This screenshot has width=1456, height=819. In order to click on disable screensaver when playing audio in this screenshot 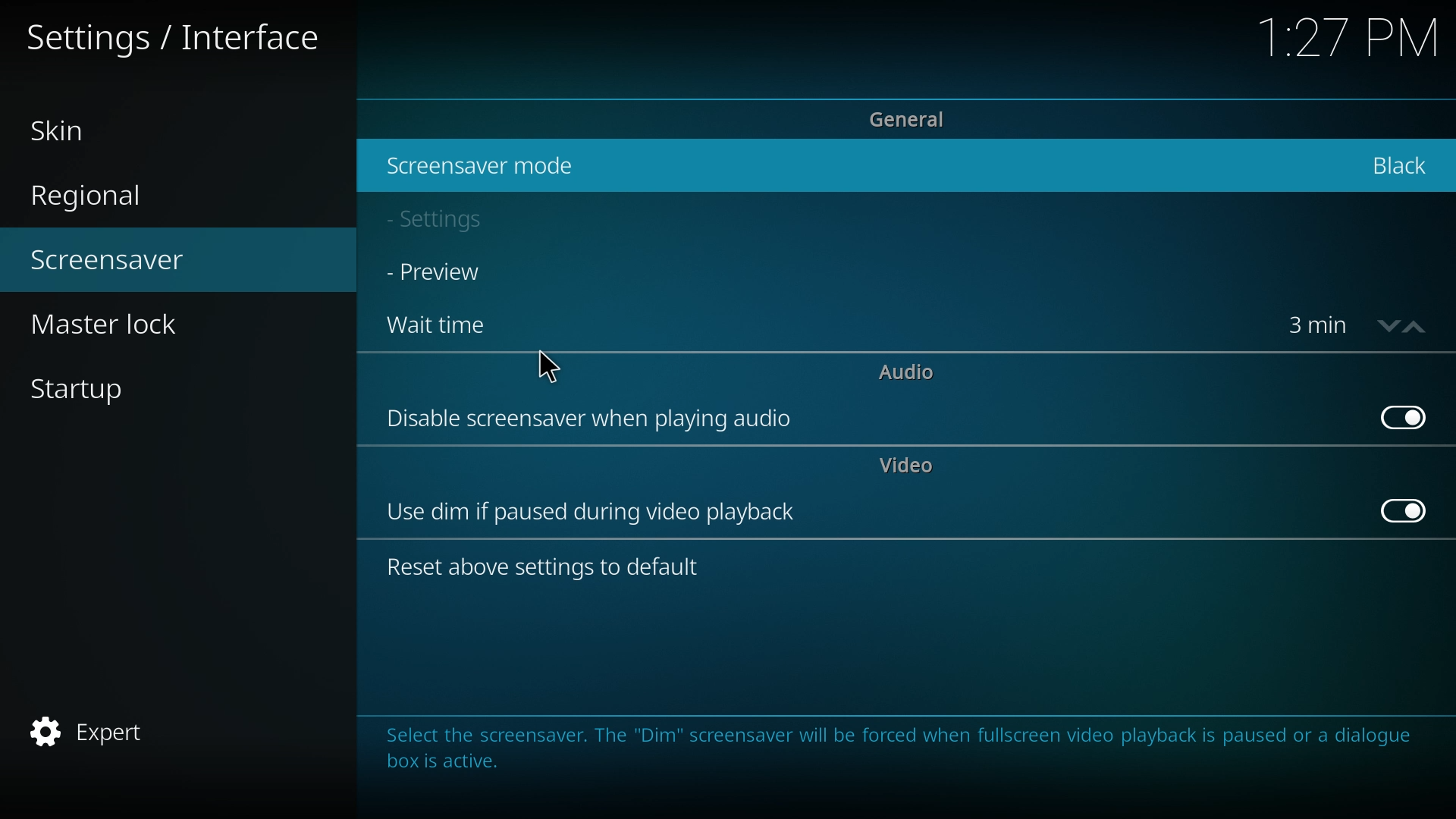, I will do `click(592, 419)`.